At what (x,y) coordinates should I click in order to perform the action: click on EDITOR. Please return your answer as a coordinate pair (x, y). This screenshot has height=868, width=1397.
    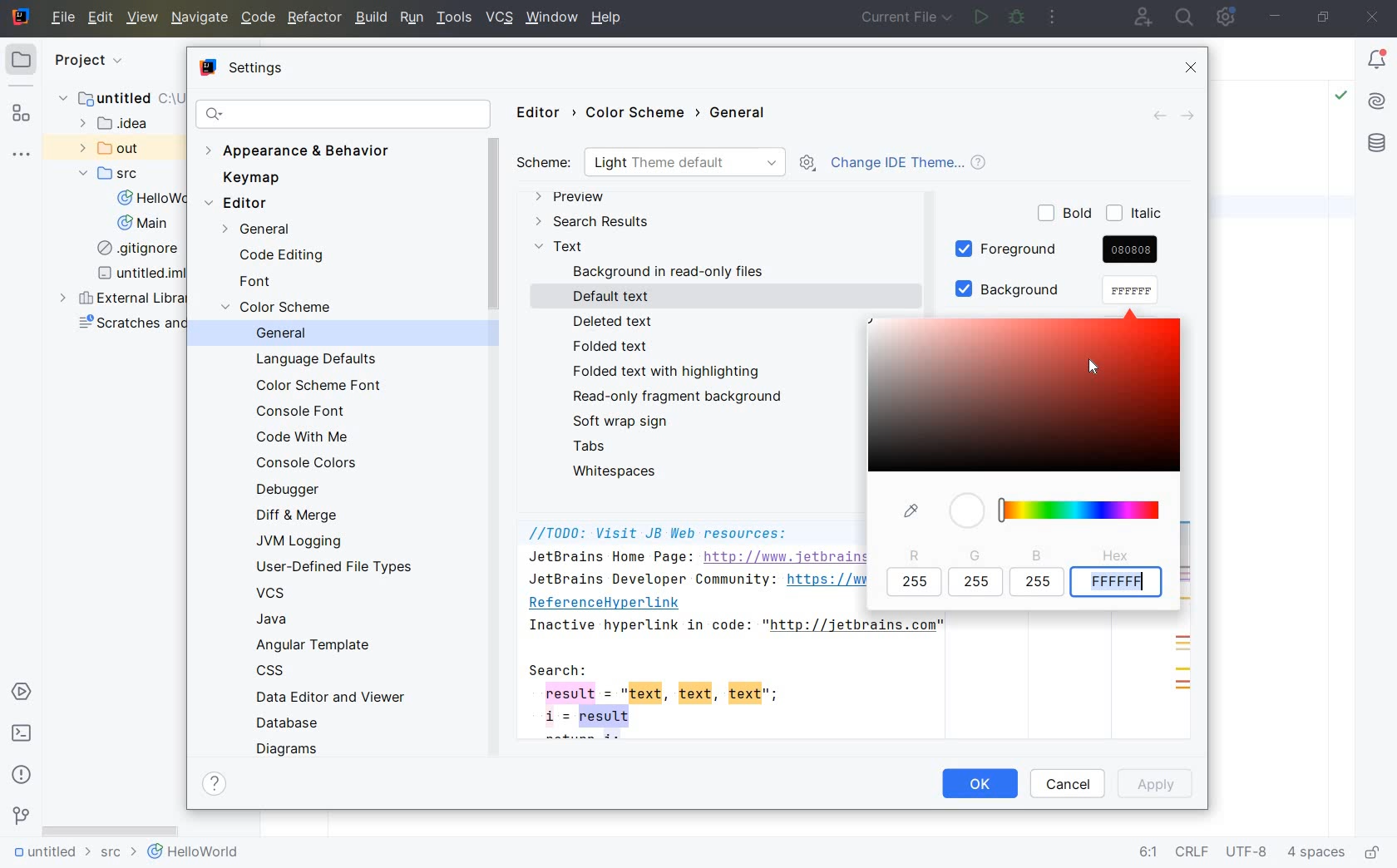
    Looking at the image, I should click on (240, 204).